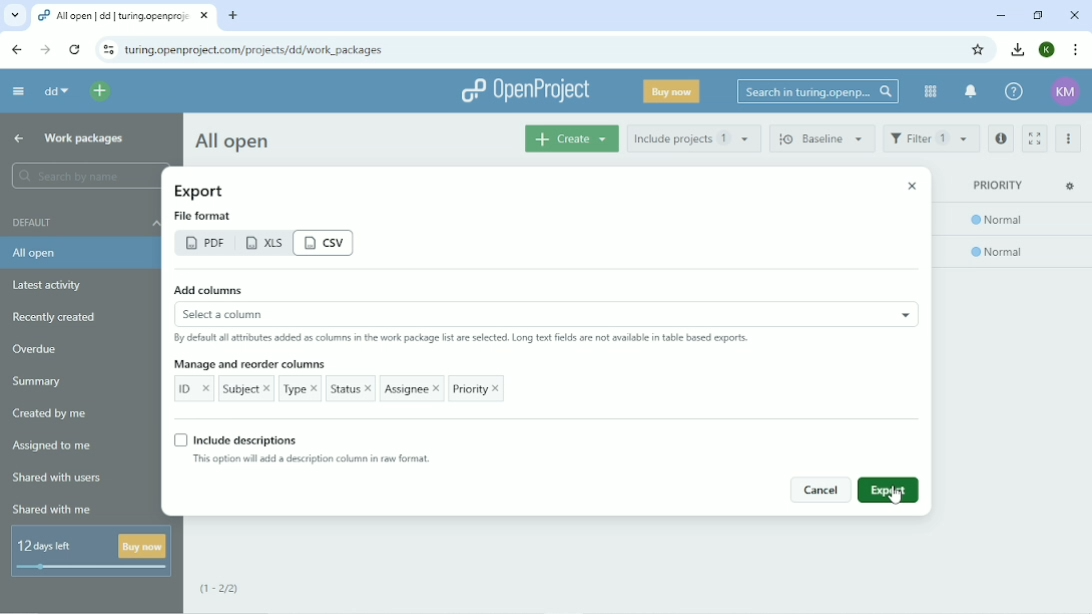 The width and height of the screenshot is (1092, 614). What do you see at coordinates (999, 15) in the screenshot?
I see `Minimize` at bounding box center [999, 15].